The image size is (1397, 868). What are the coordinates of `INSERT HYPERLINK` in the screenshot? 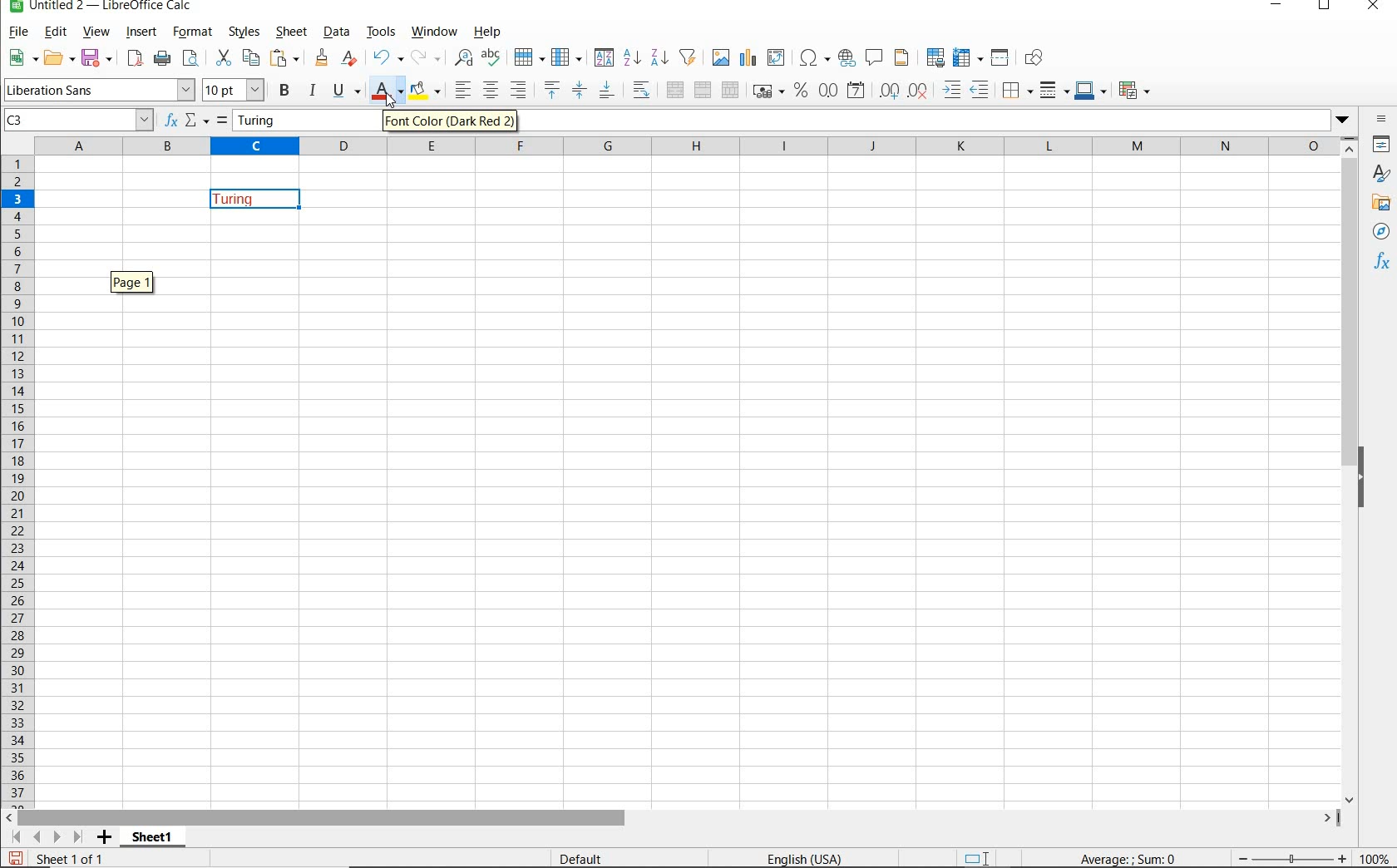 It's located at (847, 60).